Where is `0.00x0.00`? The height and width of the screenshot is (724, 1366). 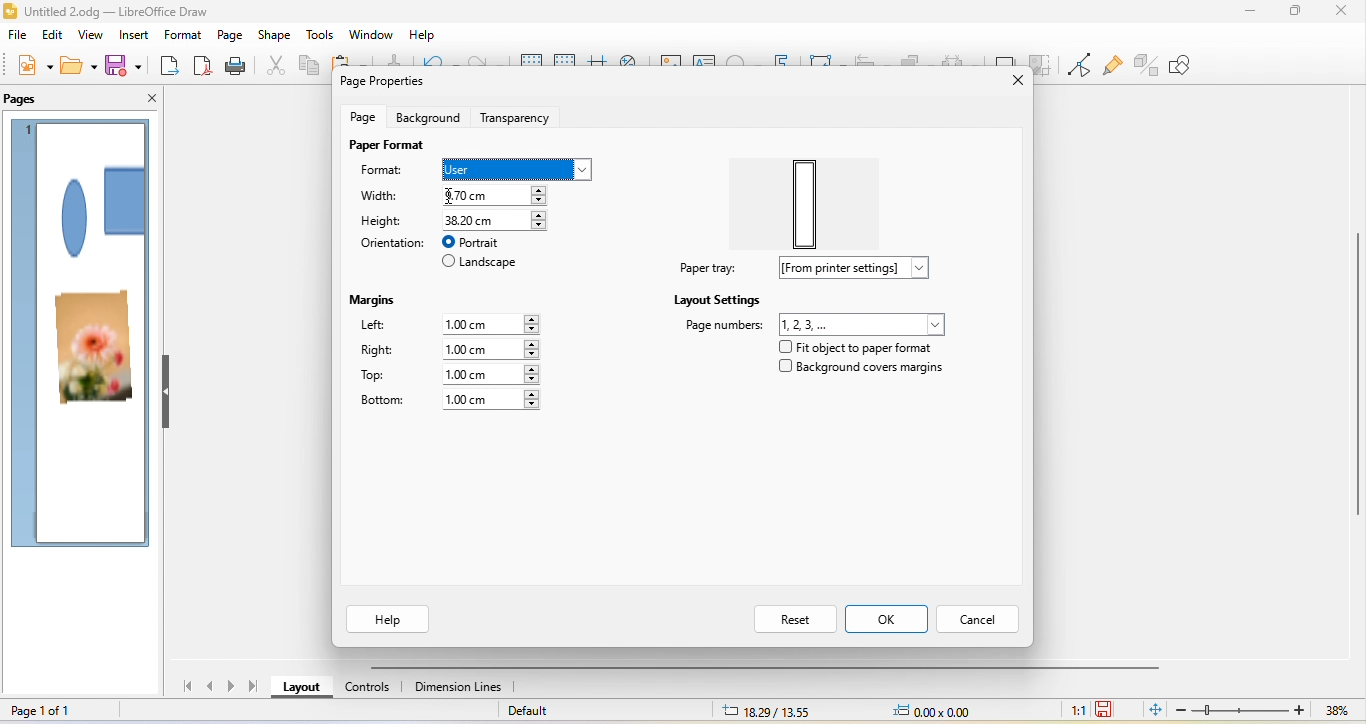
0.00x0.00 is located at coordinates (946, 712).